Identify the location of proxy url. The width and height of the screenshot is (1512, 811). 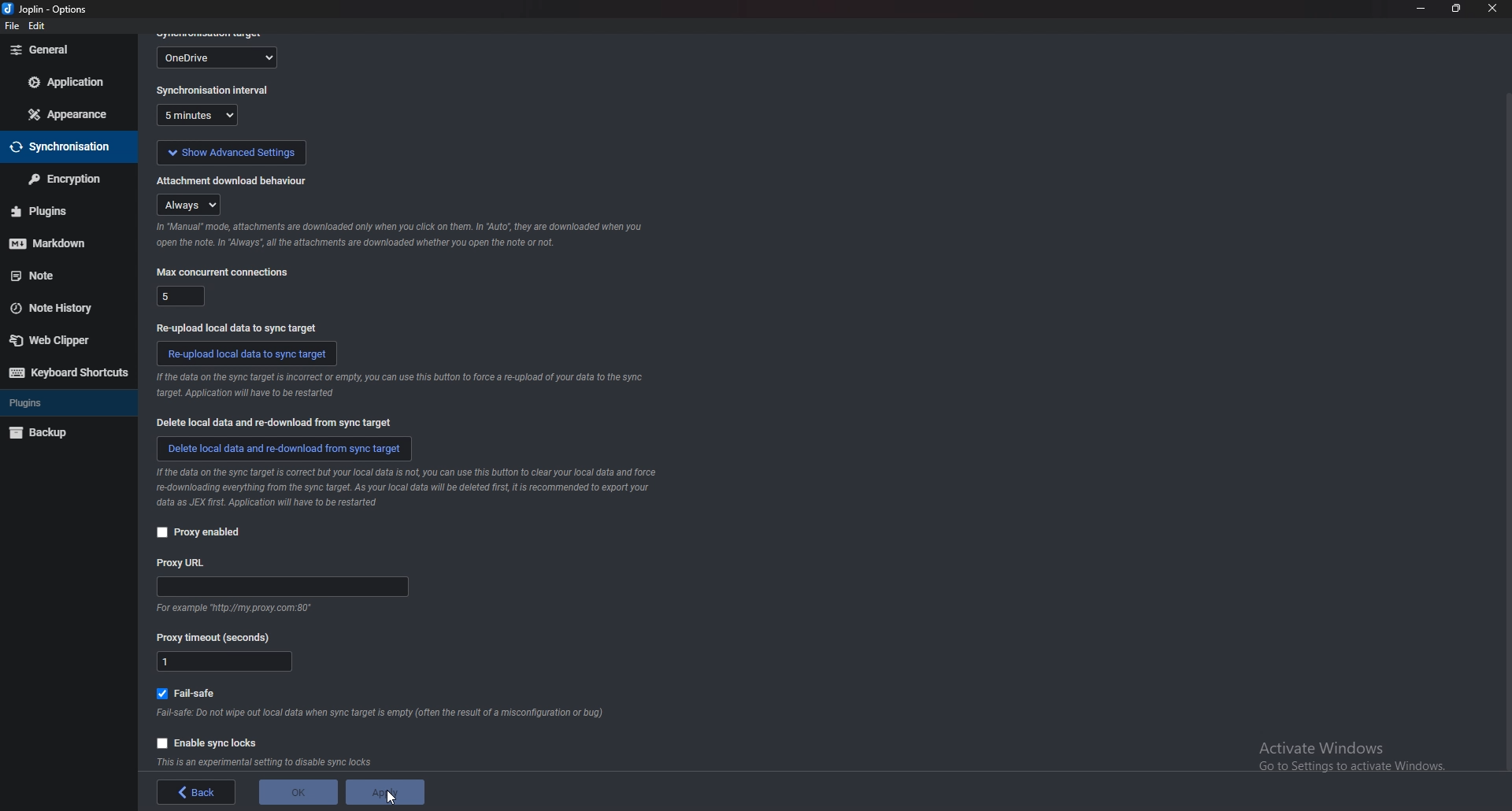
(283, 588).